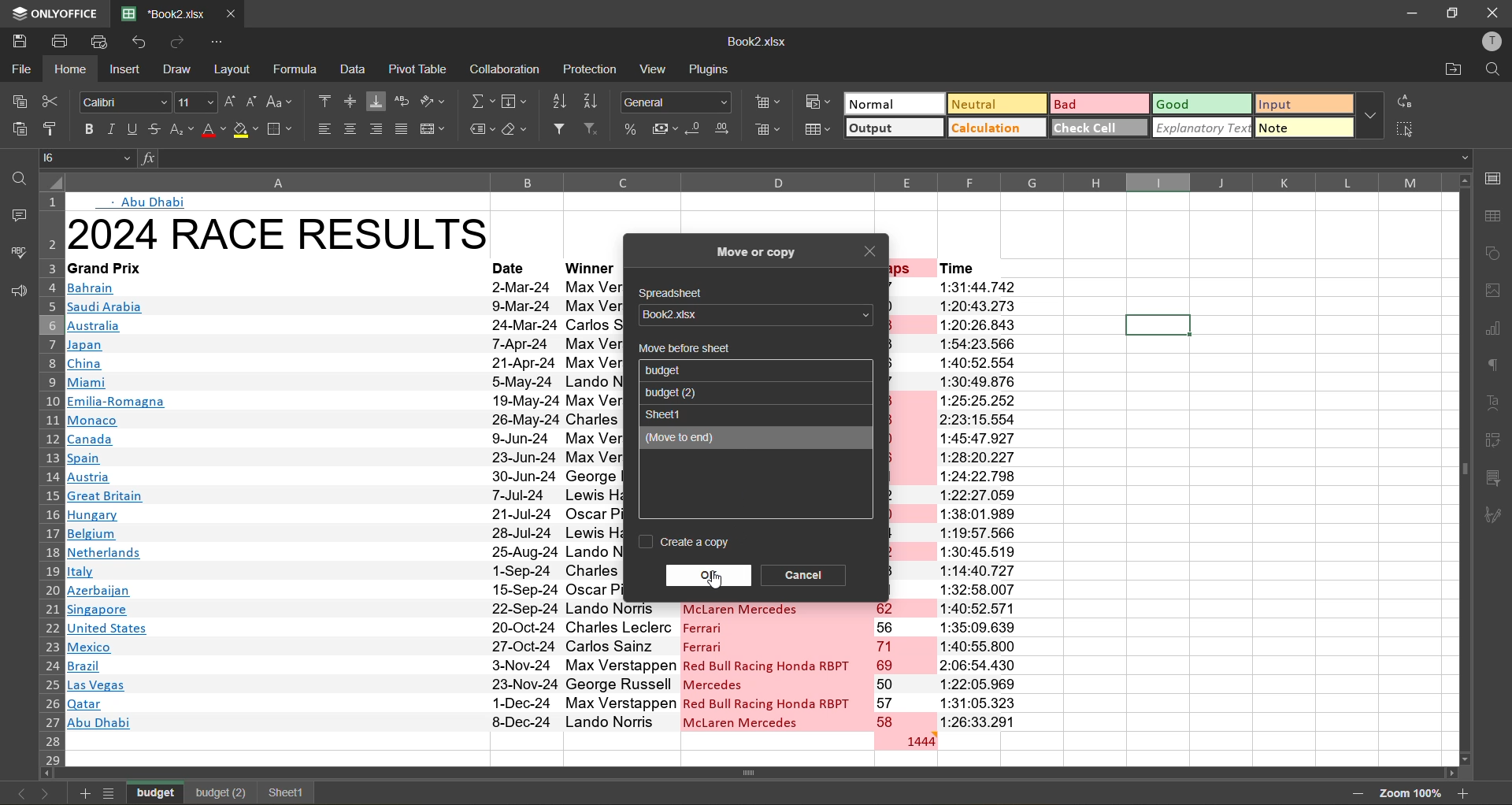  Describe the element at coordinates (140, 44) in the screenshot. I see `undo` at that location.